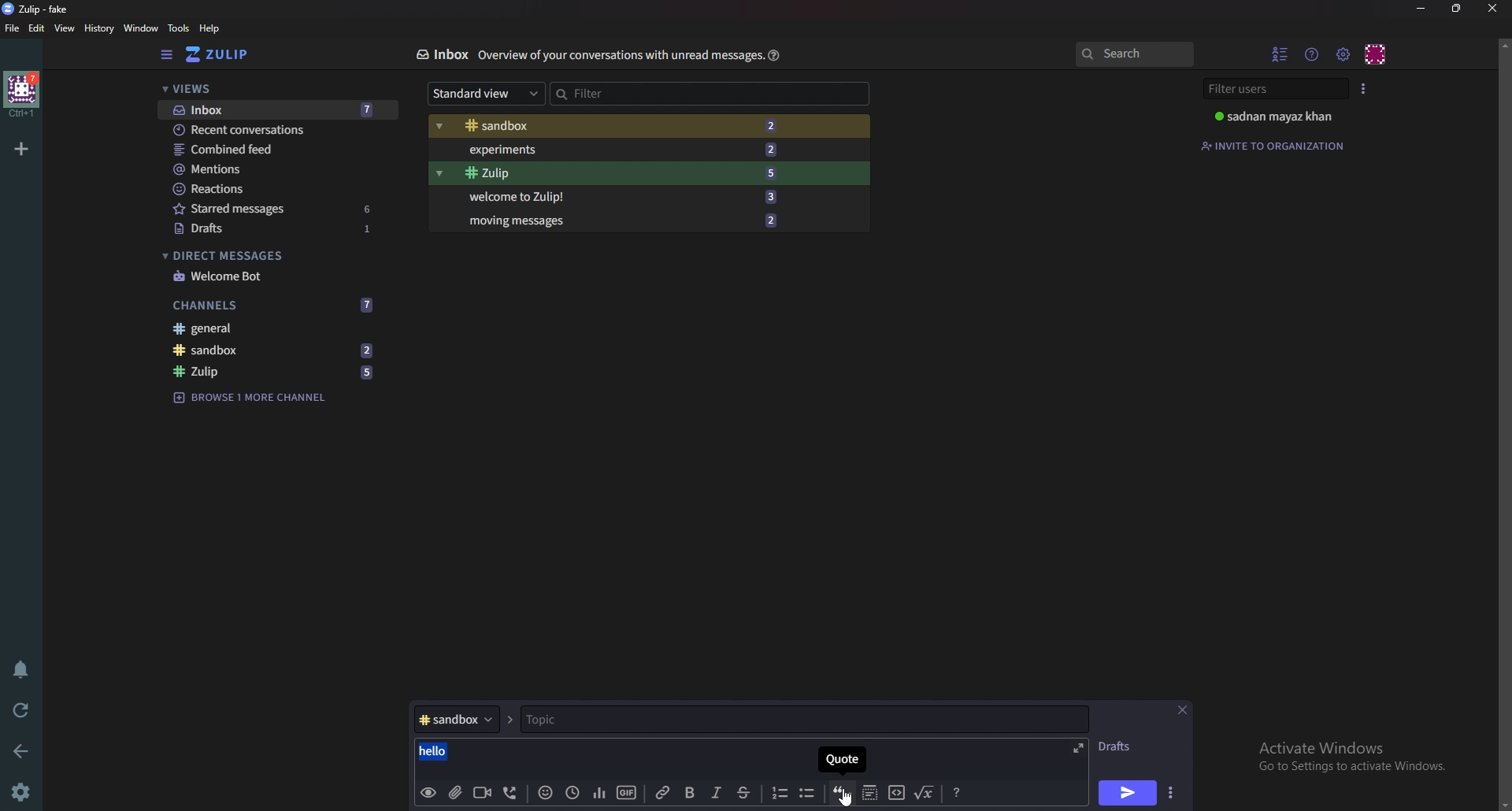  I want to click on link, so click(663, 794).